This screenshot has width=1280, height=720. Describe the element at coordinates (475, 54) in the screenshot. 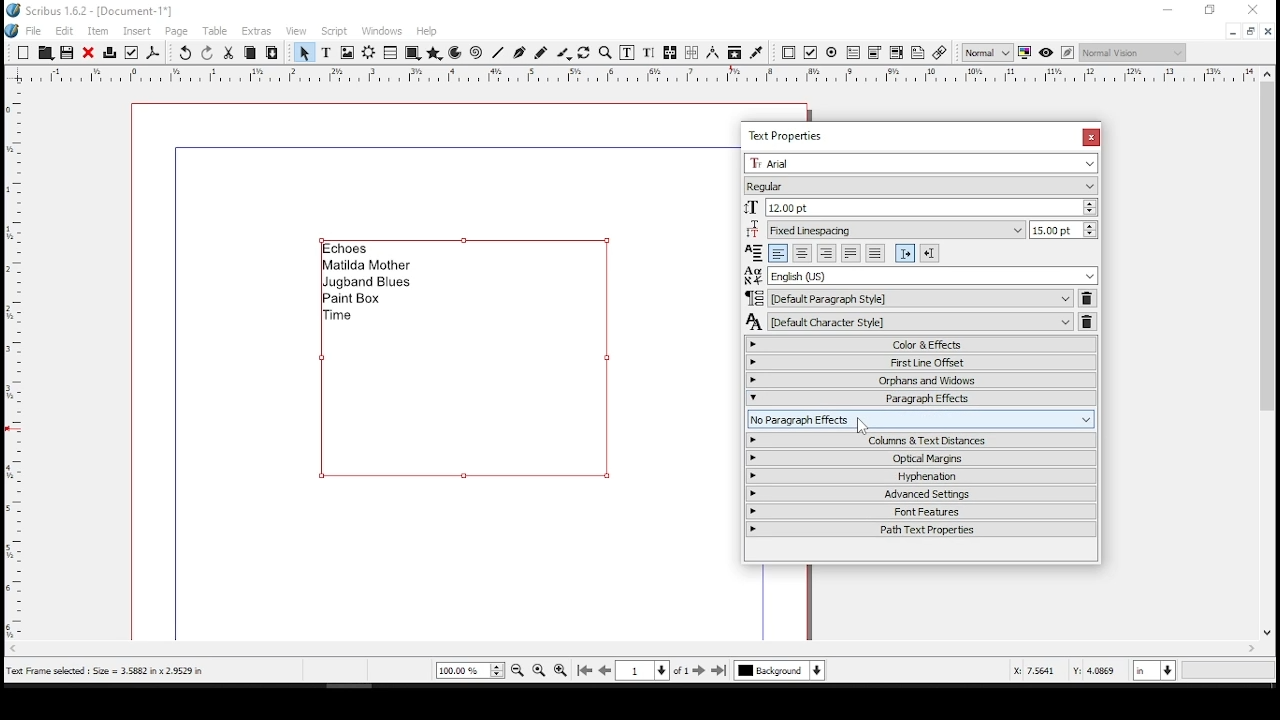

I see `spiral` at that location.